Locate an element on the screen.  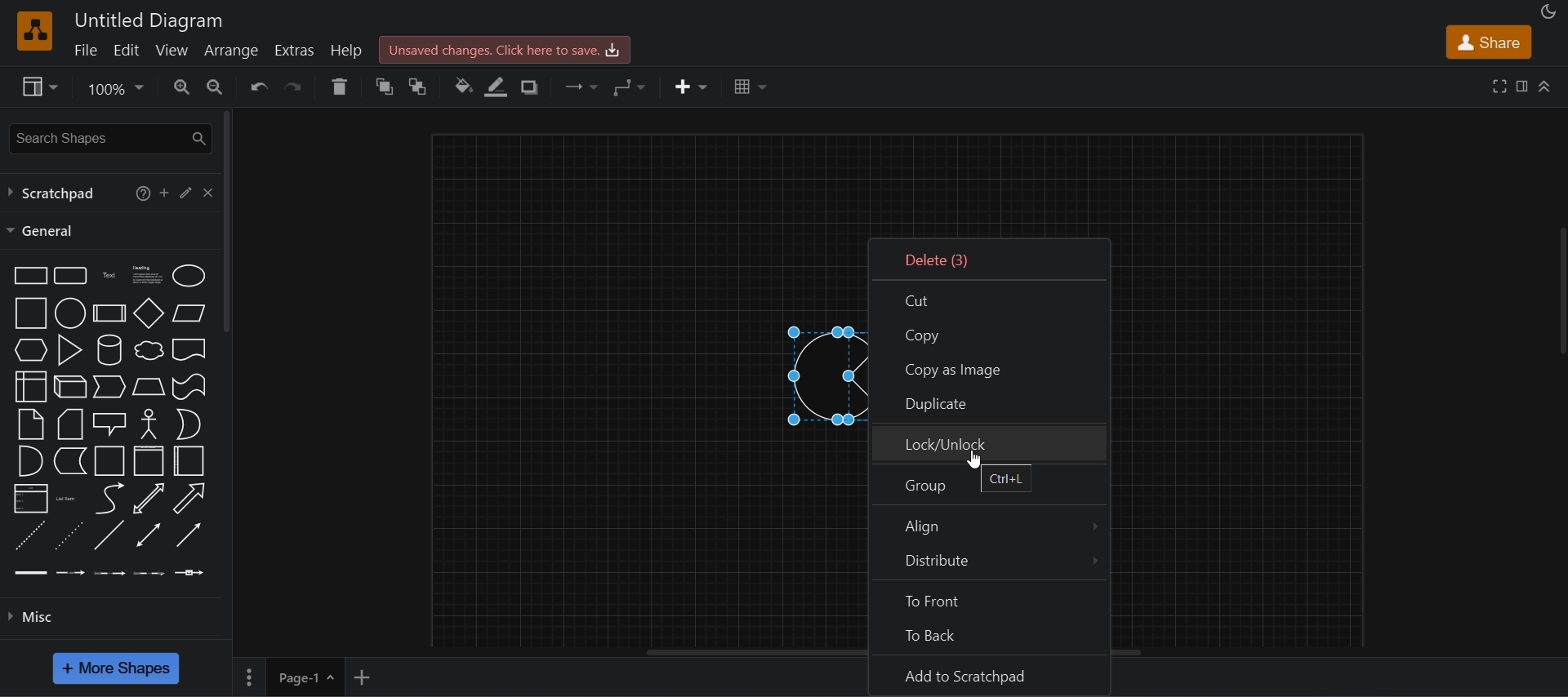
note is located at coordinates (29, 424).